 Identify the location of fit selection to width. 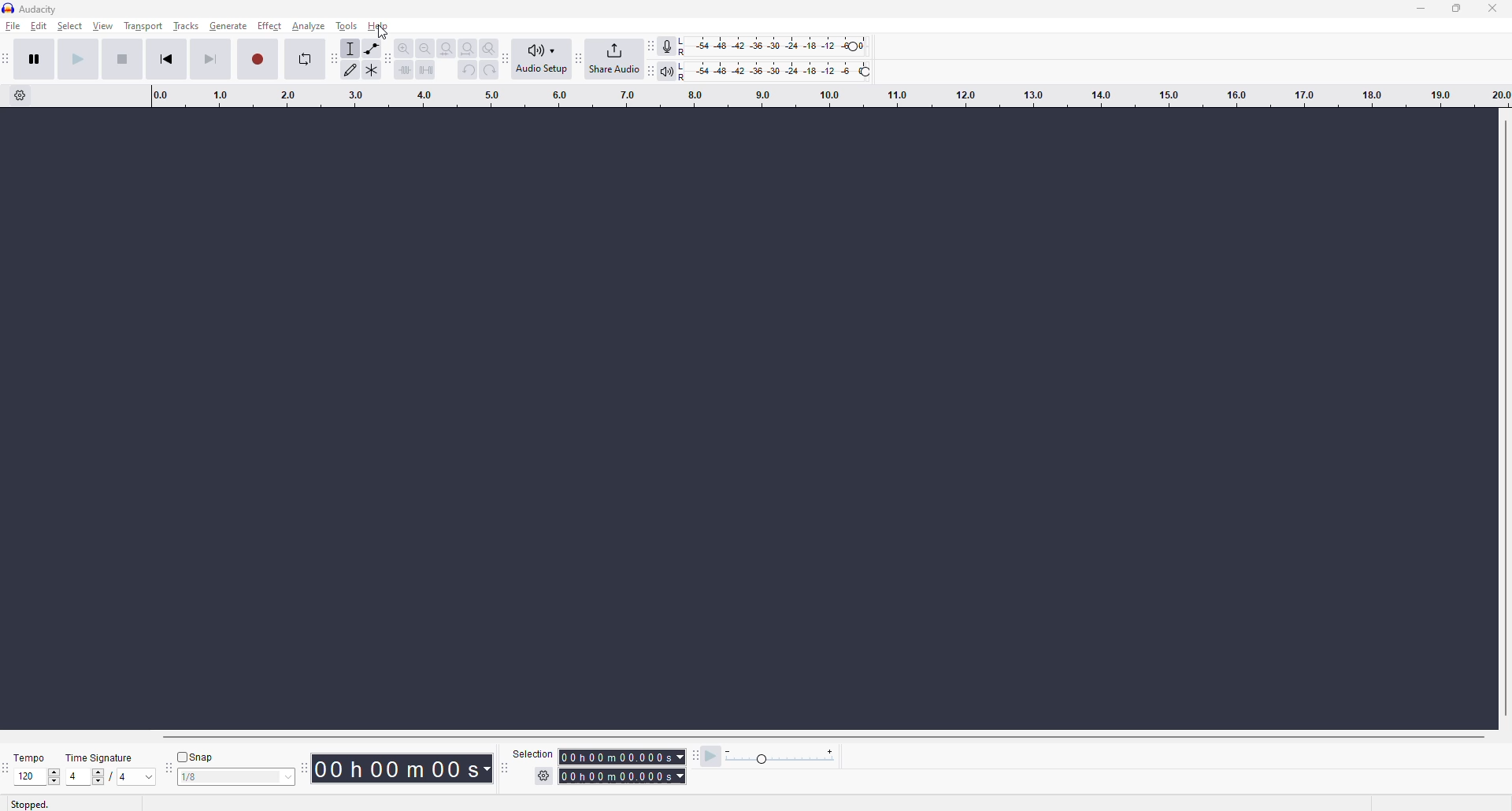
(445, 50).